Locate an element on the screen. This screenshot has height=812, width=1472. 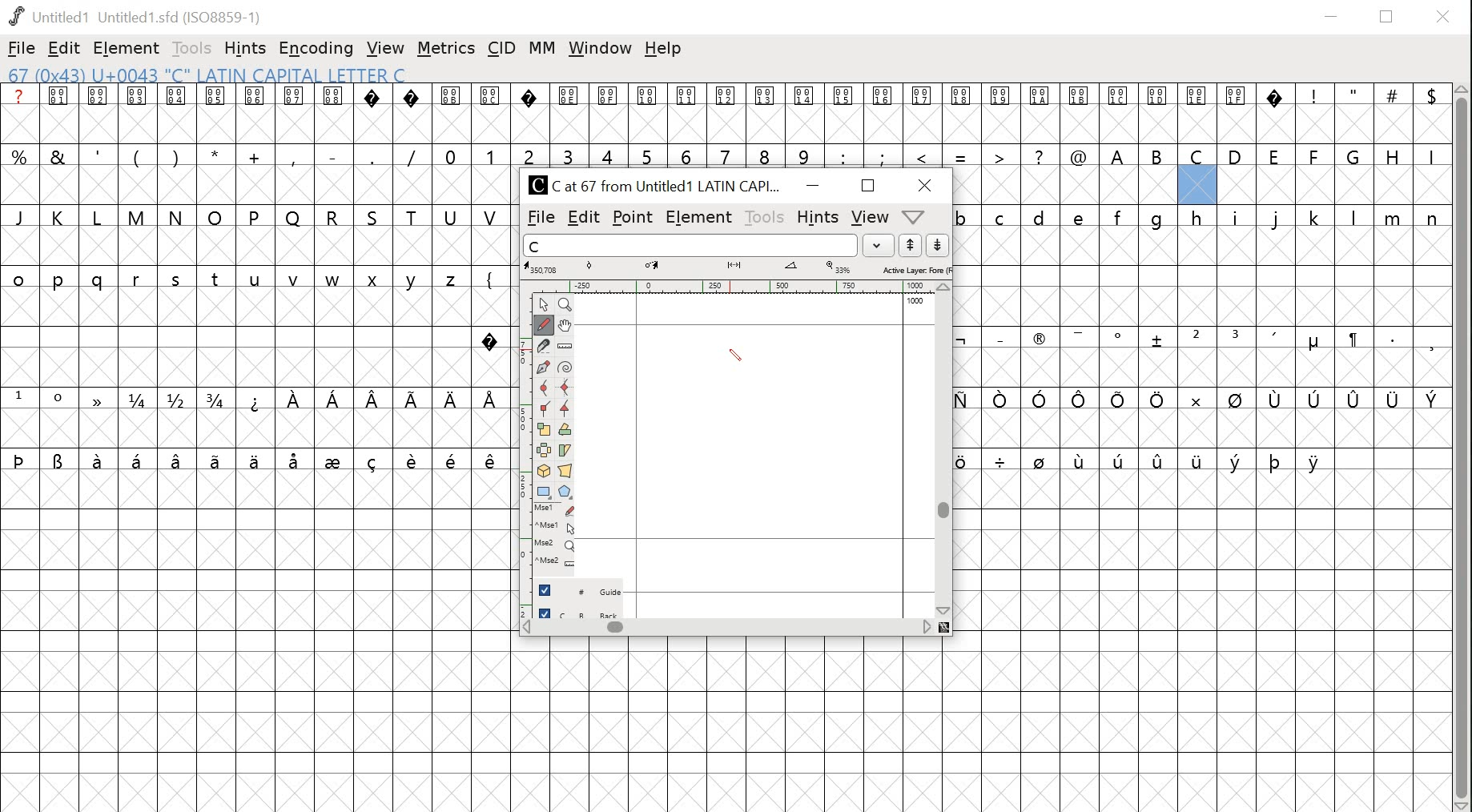
maximize is located at coordinates (871, 186).